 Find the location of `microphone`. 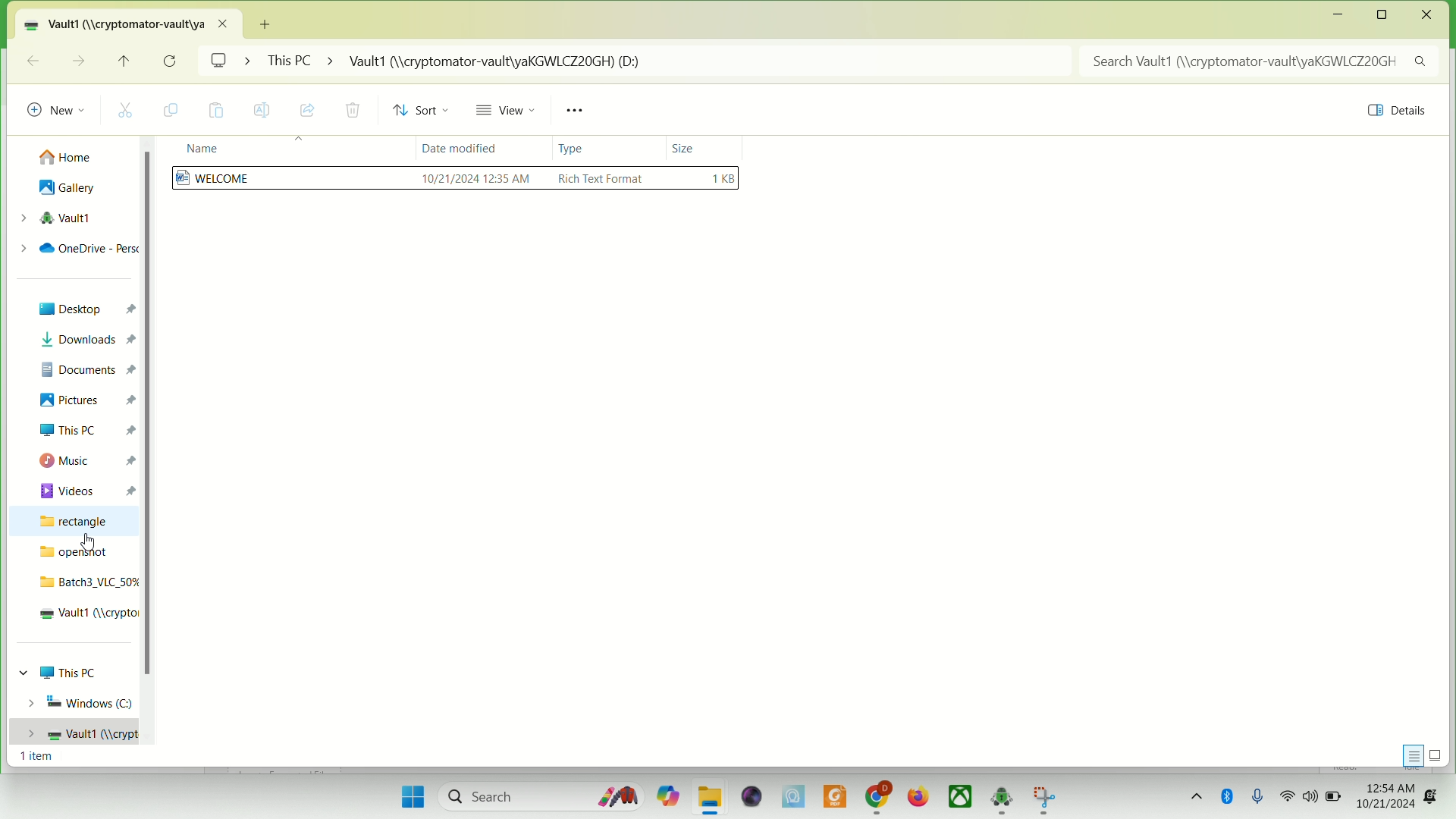

microphone is located at coordinates (1262, 795).